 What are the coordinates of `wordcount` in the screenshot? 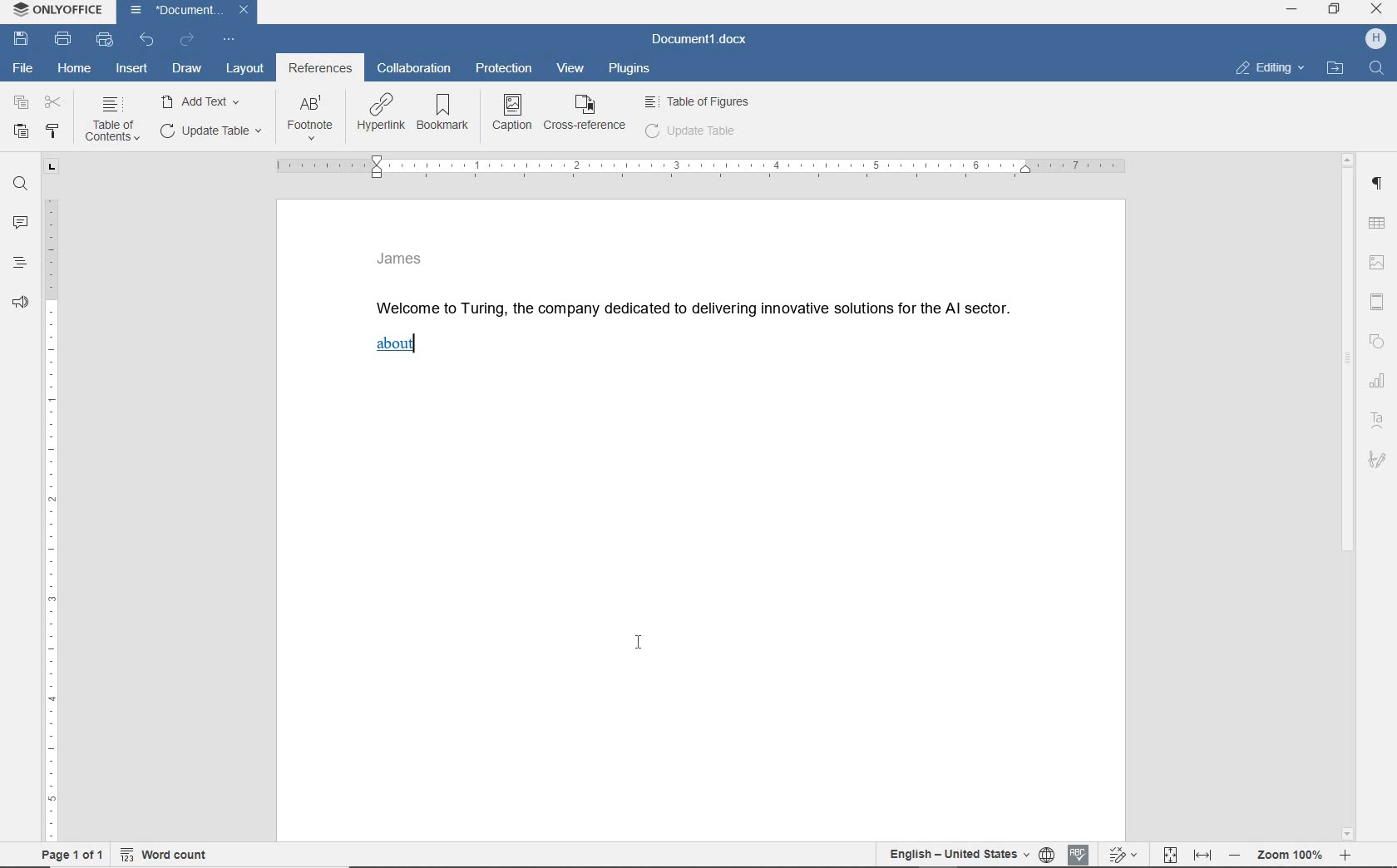 It's located at (168, 855).